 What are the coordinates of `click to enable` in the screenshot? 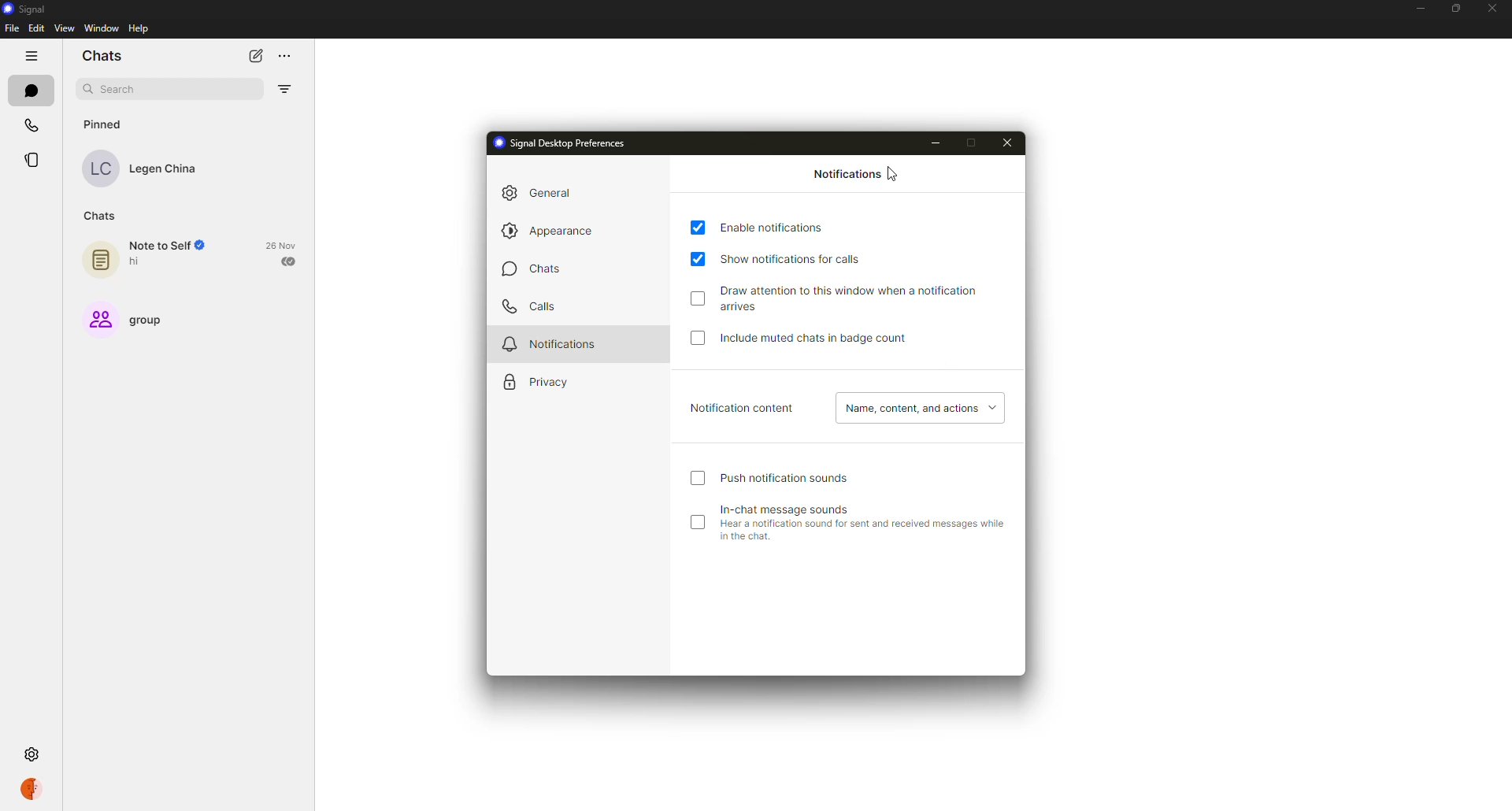 It's located at (698, 338).